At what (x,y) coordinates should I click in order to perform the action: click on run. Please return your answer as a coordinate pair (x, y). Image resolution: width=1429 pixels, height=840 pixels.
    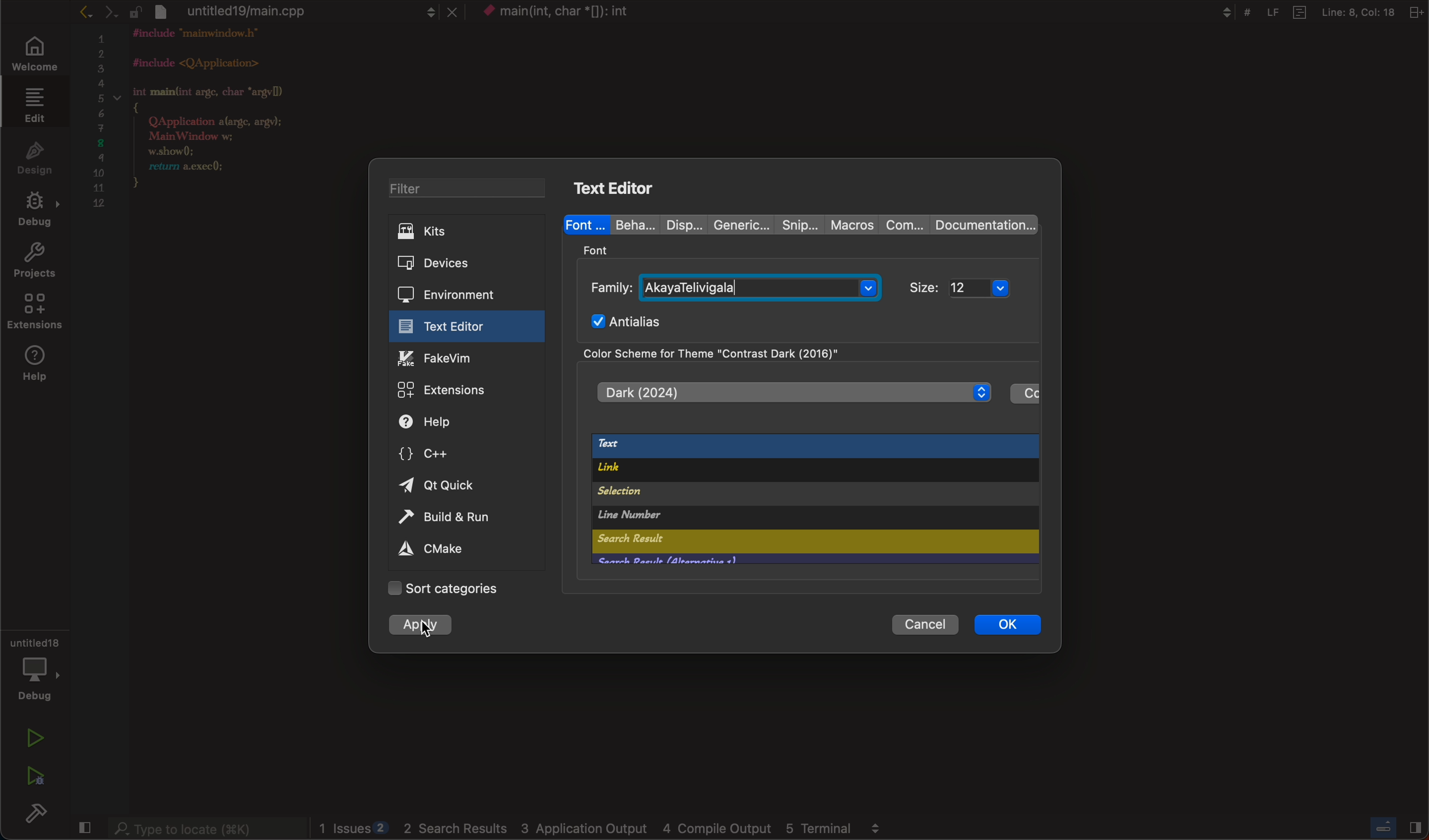
    Looking at the image, I should click on (31, 739).